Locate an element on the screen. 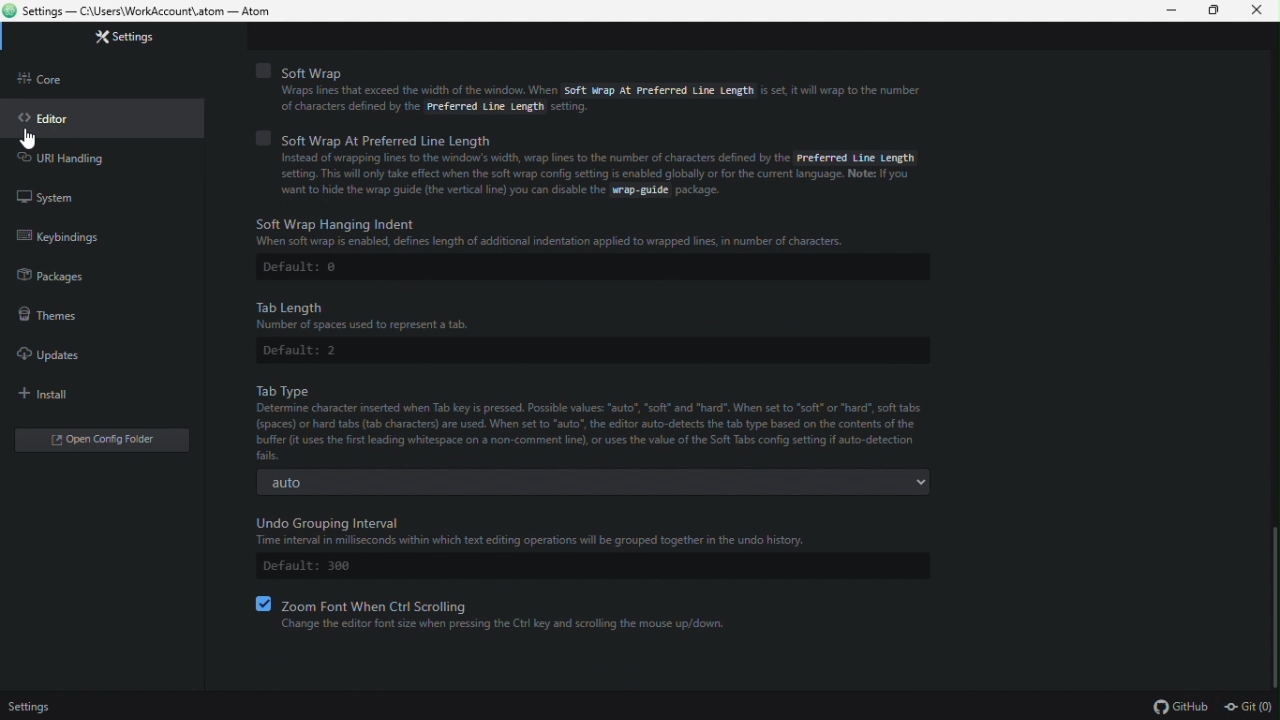 This screenshot has height=720, width=1280. Tab Type.

Determine character inserted when Tab key is pressed. Possible values: “auto”, “soft” and "hard". When set to “soft” or "hard", softtabs:
(spaces) or hard tabs (tab characters) are used. When set to "auto", the editor auto-detets the tab type based on the contents of the

buffer Gt uses the first leading whitespace on a non-comment lin), o uses the value of the Soft Tabs config setting if auto-detection

fails. is located at coordinates (596, 423).